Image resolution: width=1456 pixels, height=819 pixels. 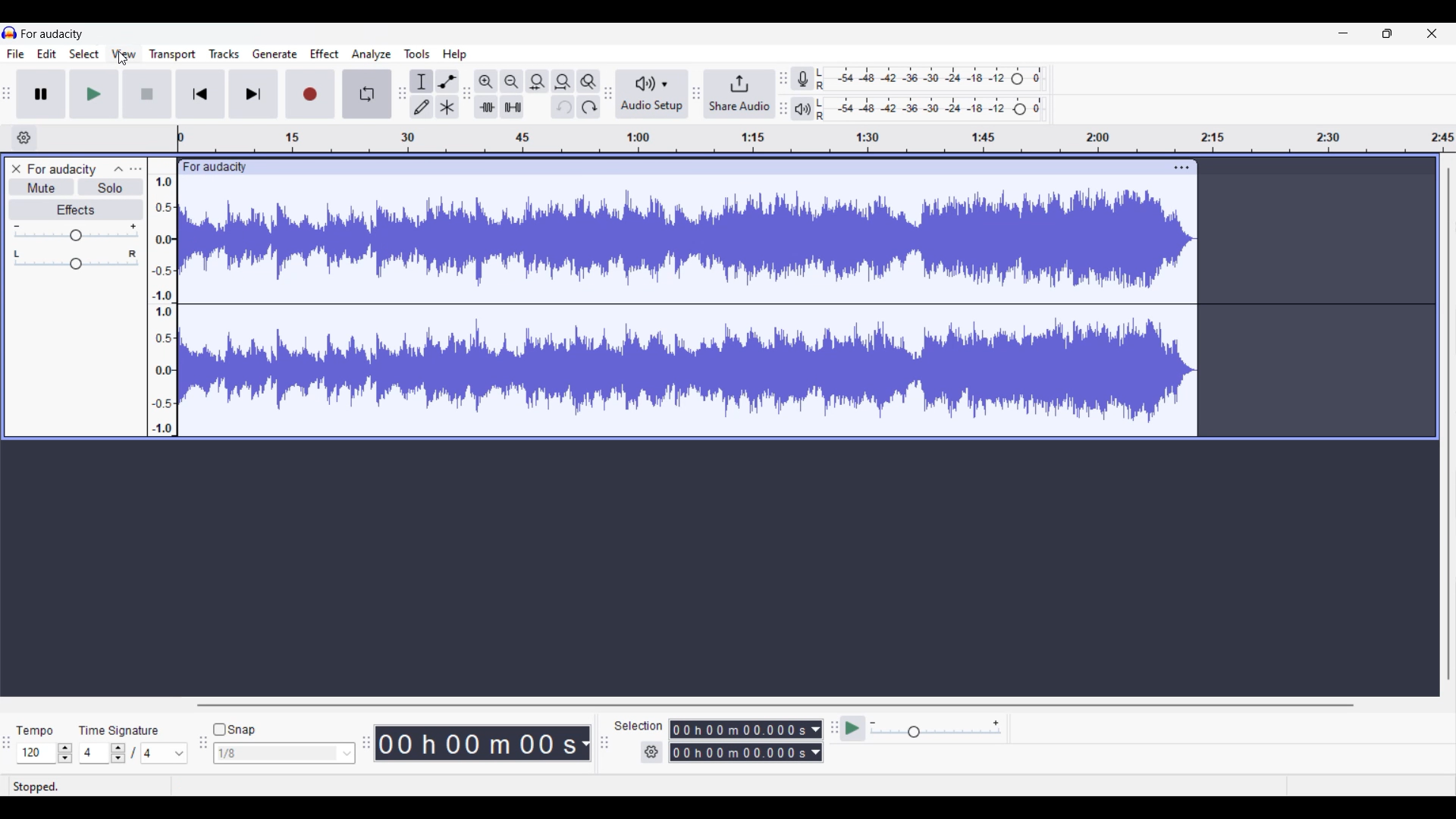 What do you see at coordinates (62, 170) in the screenshot?
I see `for audacity` at bounding box center [62, 170].